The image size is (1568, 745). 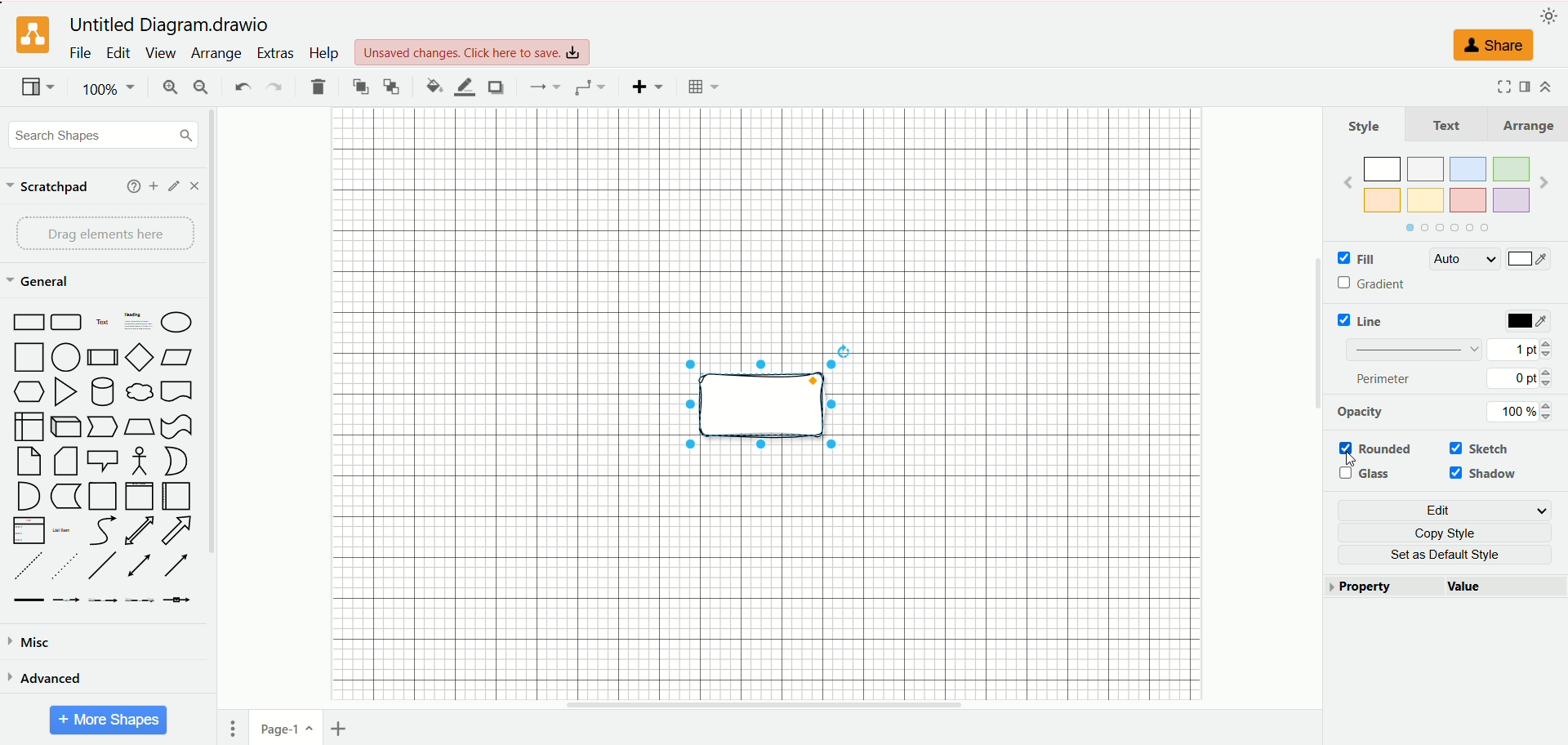 What do you see at coordinates (1452, 533) in the screenshot?
I see `copy style` at bounding box center [1452, 533].